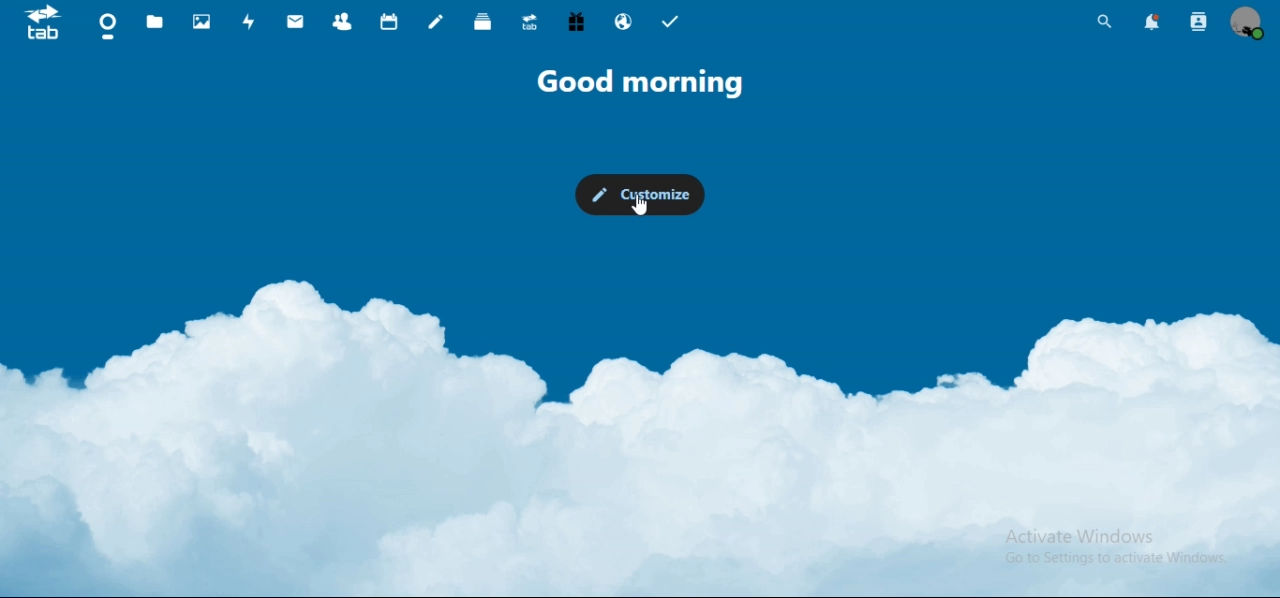  Describe the element at coordinates (390, 22) in the screenshot. I see `calendar` at that location.